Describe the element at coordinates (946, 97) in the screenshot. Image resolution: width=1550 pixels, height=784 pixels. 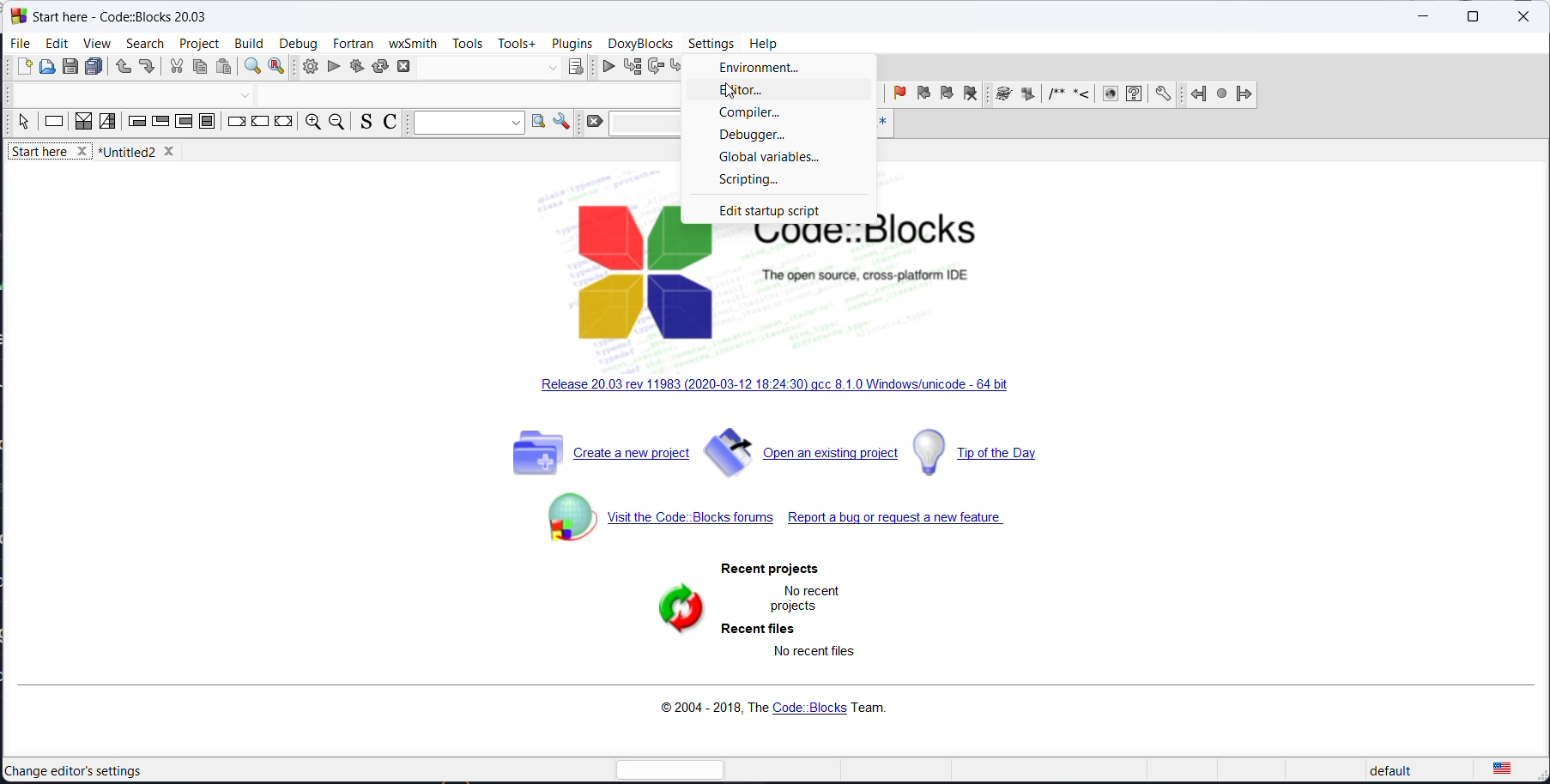
I see `next bookmark` at that location.